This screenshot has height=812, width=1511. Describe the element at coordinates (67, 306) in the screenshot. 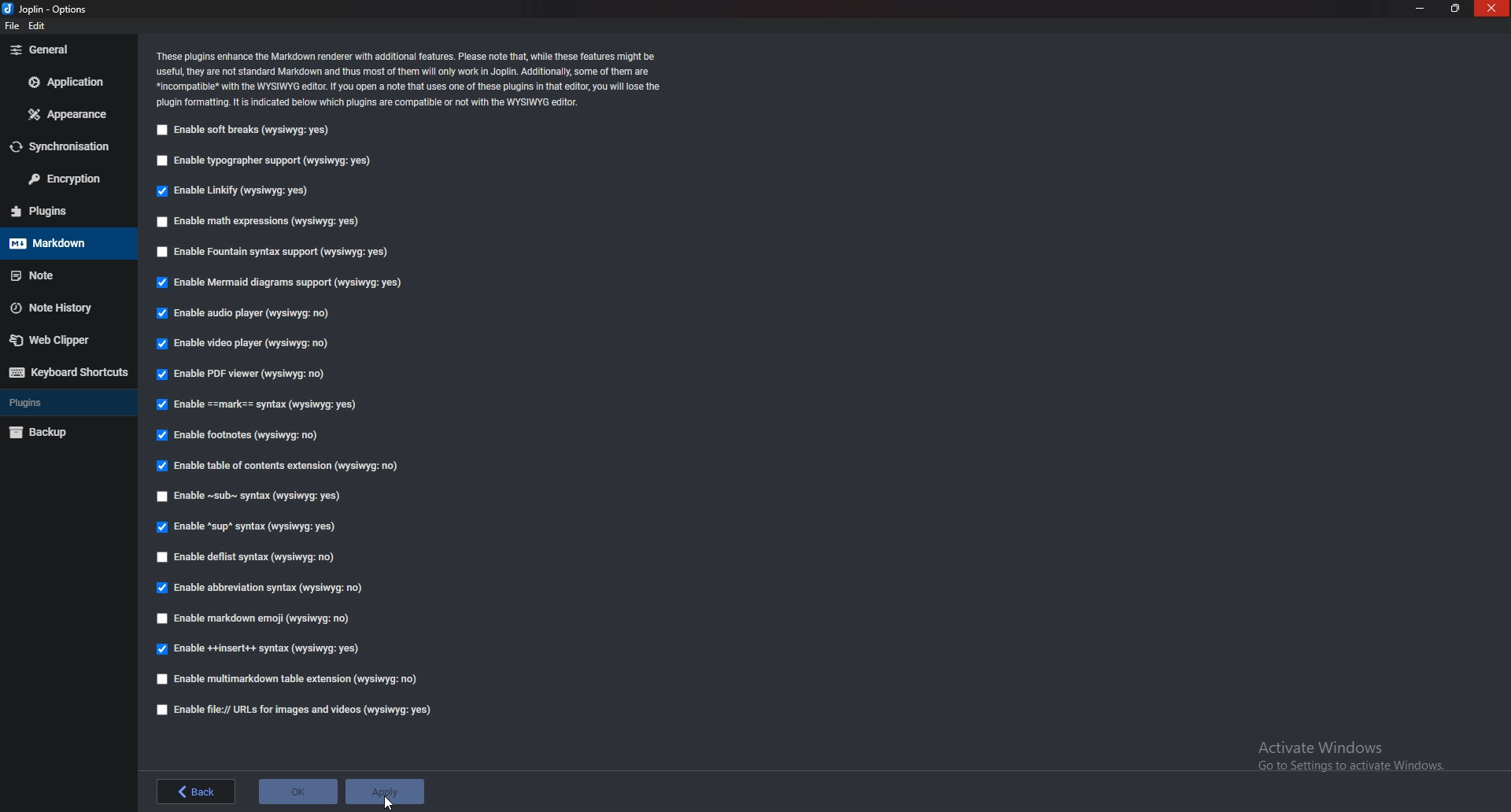

I see `note history` at that location.